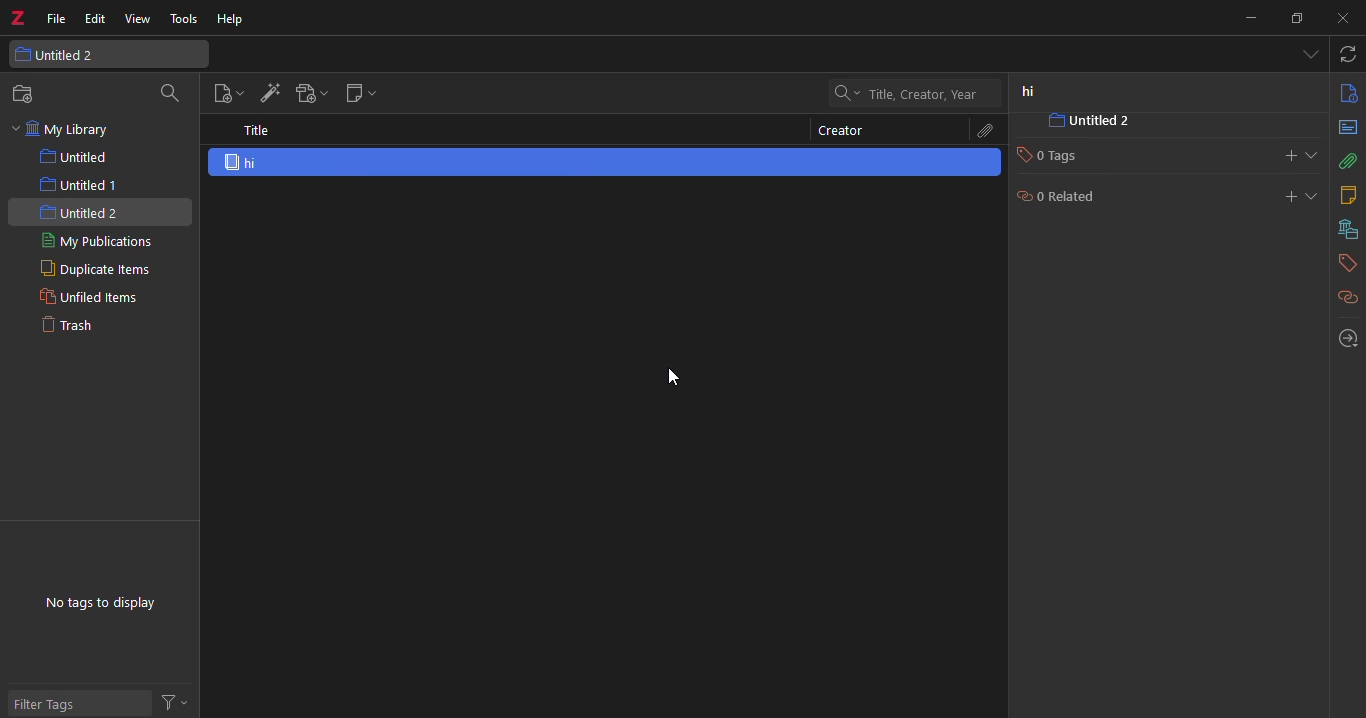 This screenshot has height=718, width=1366. I want to click on untitled 2, so click(87, 210).